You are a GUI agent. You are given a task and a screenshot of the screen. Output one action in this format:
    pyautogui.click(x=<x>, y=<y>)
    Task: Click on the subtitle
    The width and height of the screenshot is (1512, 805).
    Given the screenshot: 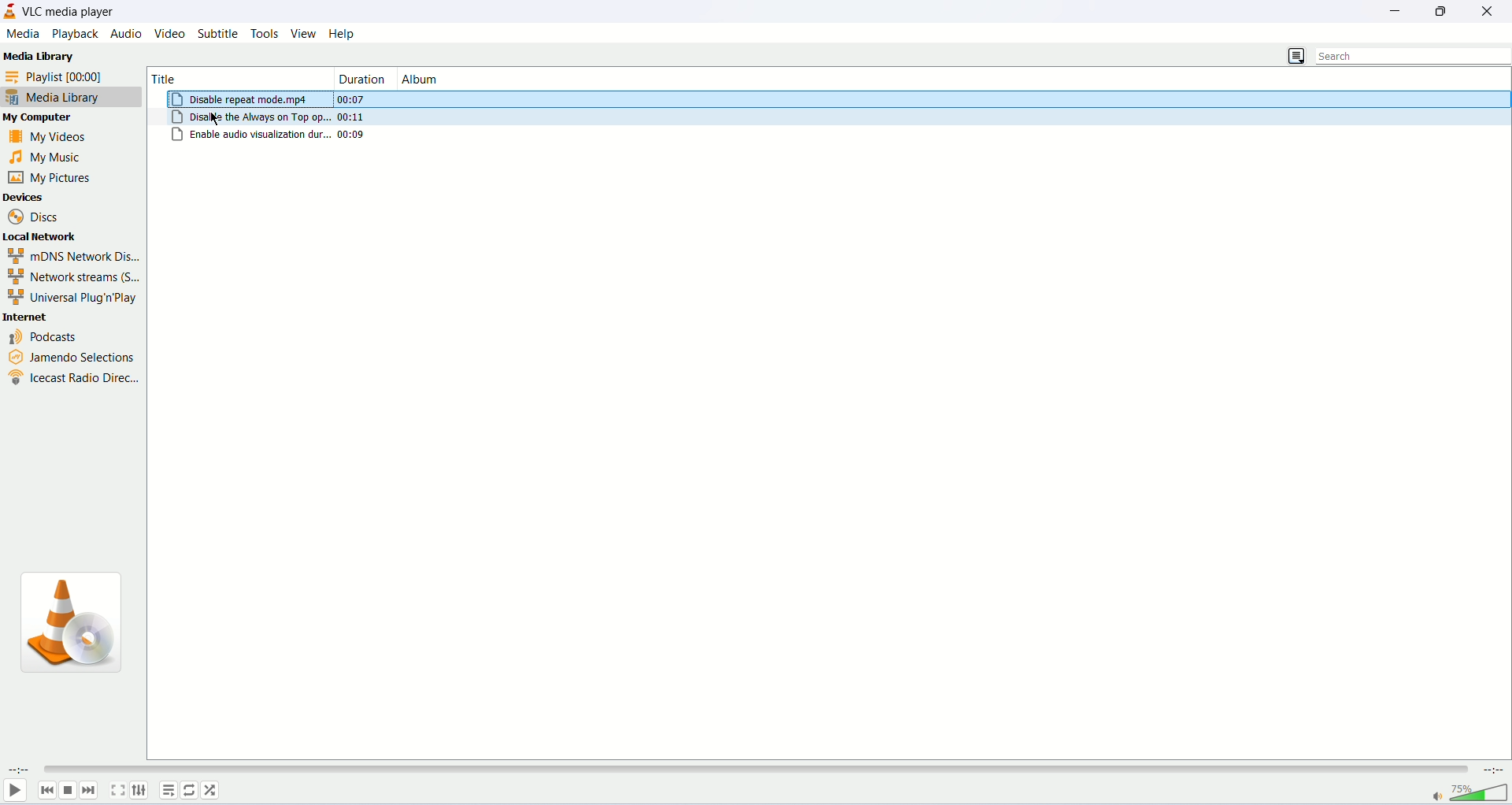 What is the action you would take?
    pyautogui.click(x=220, y=33)
    